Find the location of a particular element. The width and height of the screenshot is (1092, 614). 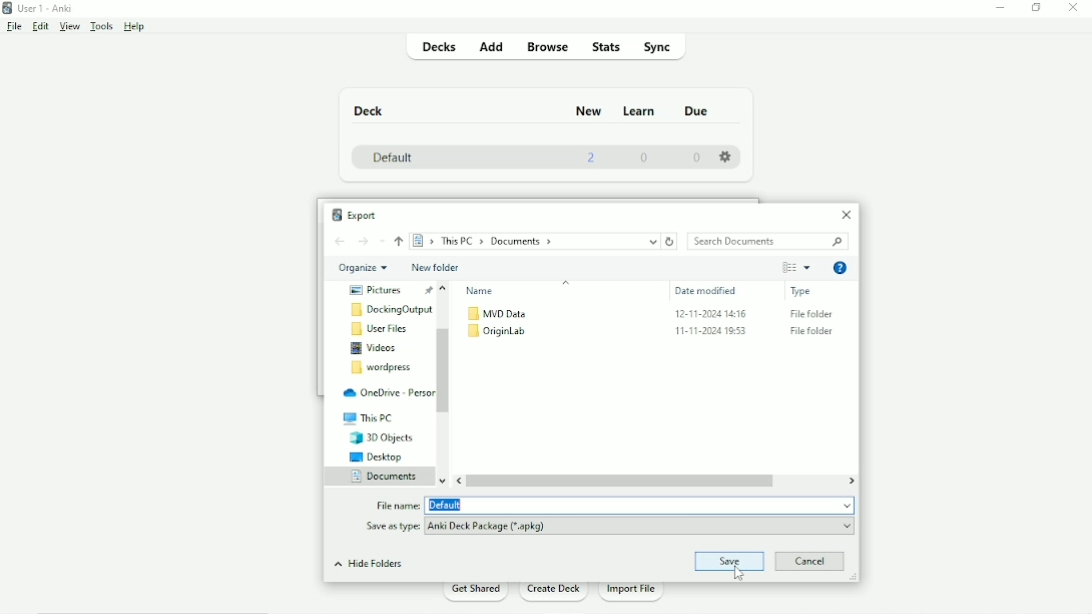

New folder is located at coordinates (437, 267).